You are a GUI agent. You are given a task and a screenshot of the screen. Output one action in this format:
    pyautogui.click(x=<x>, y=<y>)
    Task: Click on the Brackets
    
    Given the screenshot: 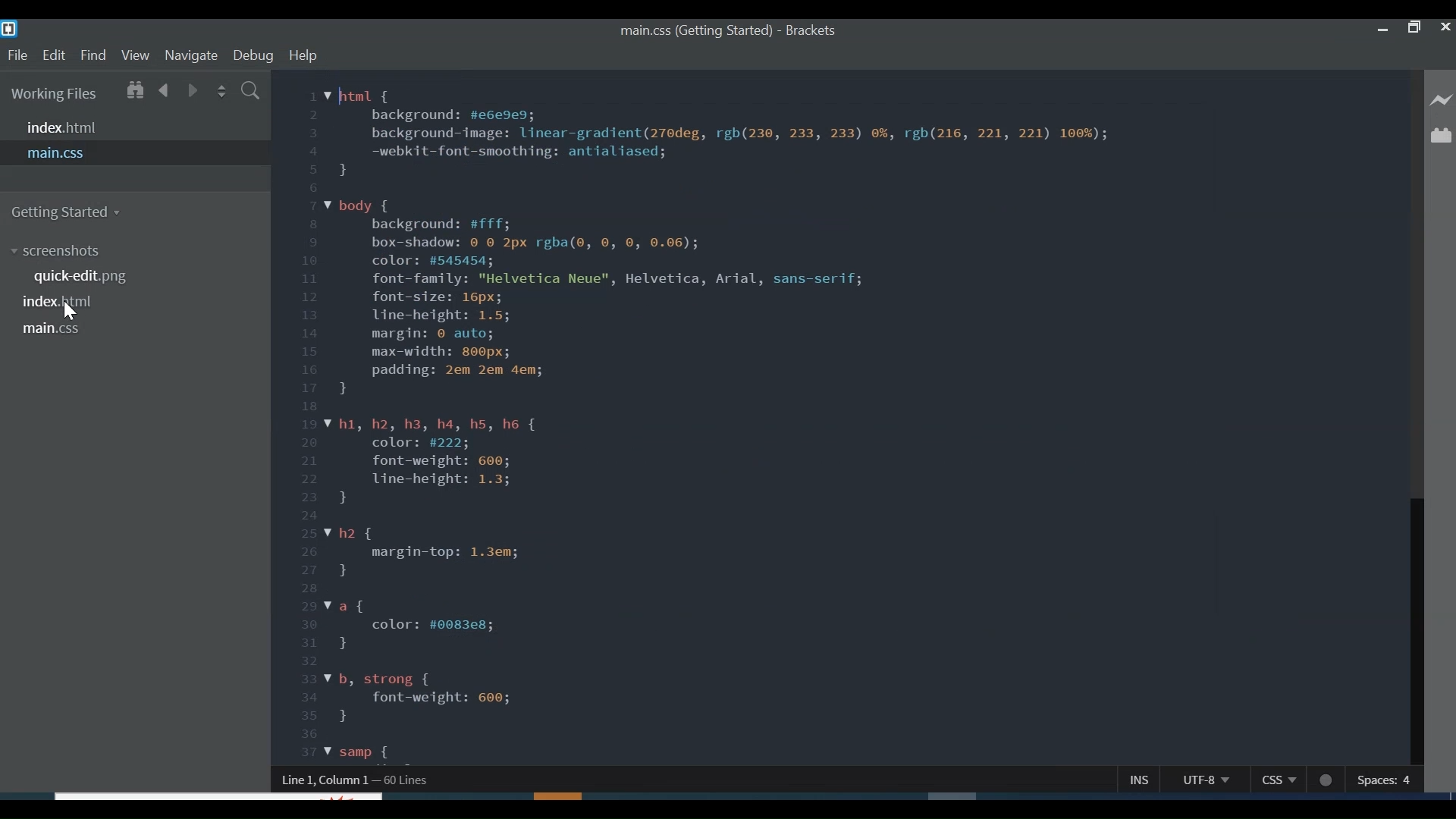 What is the action you would take?
    pyautogui.click(x=817, y=31)
    